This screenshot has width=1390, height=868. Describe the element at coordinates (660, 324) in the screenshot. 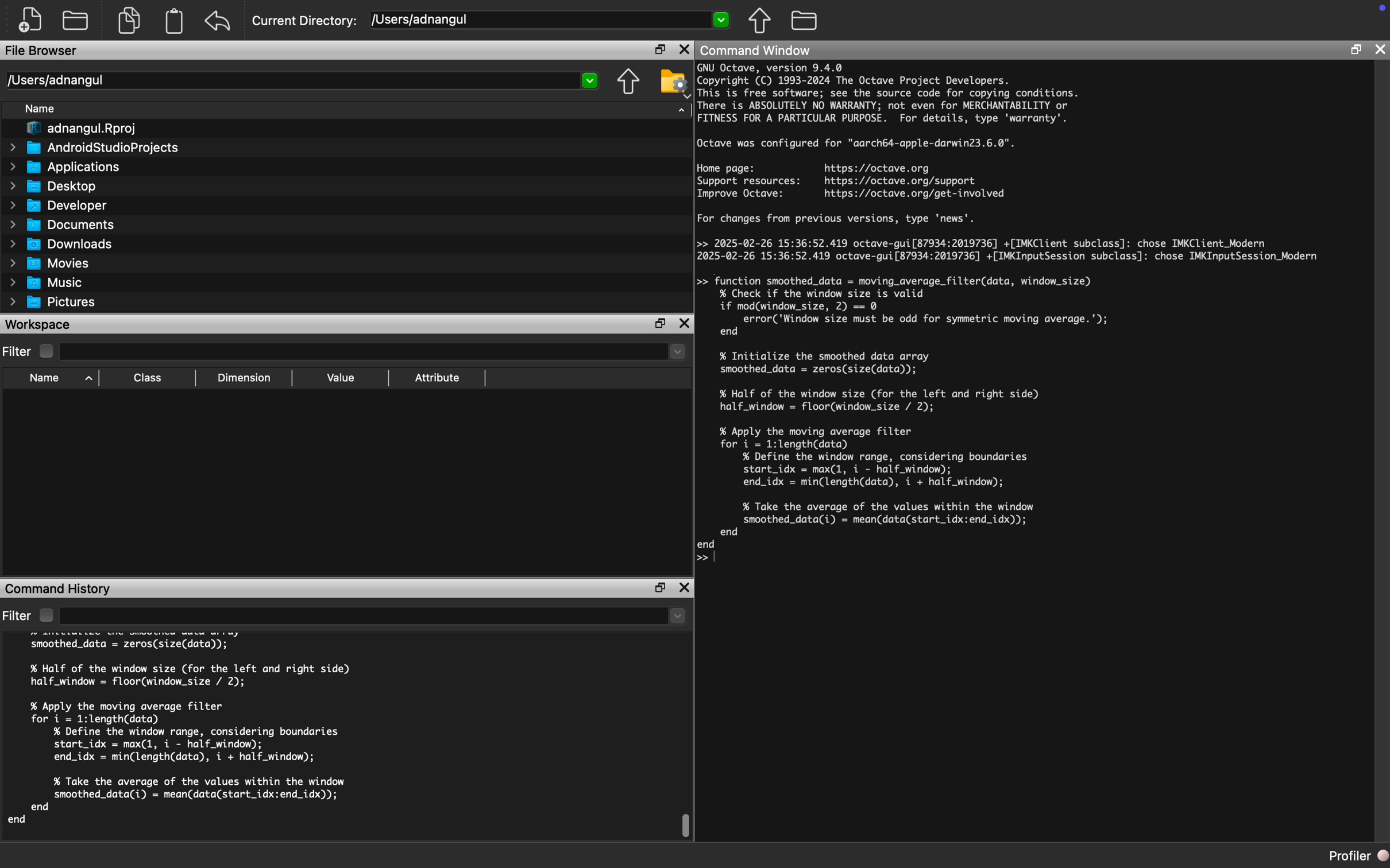

I see `Restore Down` at that location.